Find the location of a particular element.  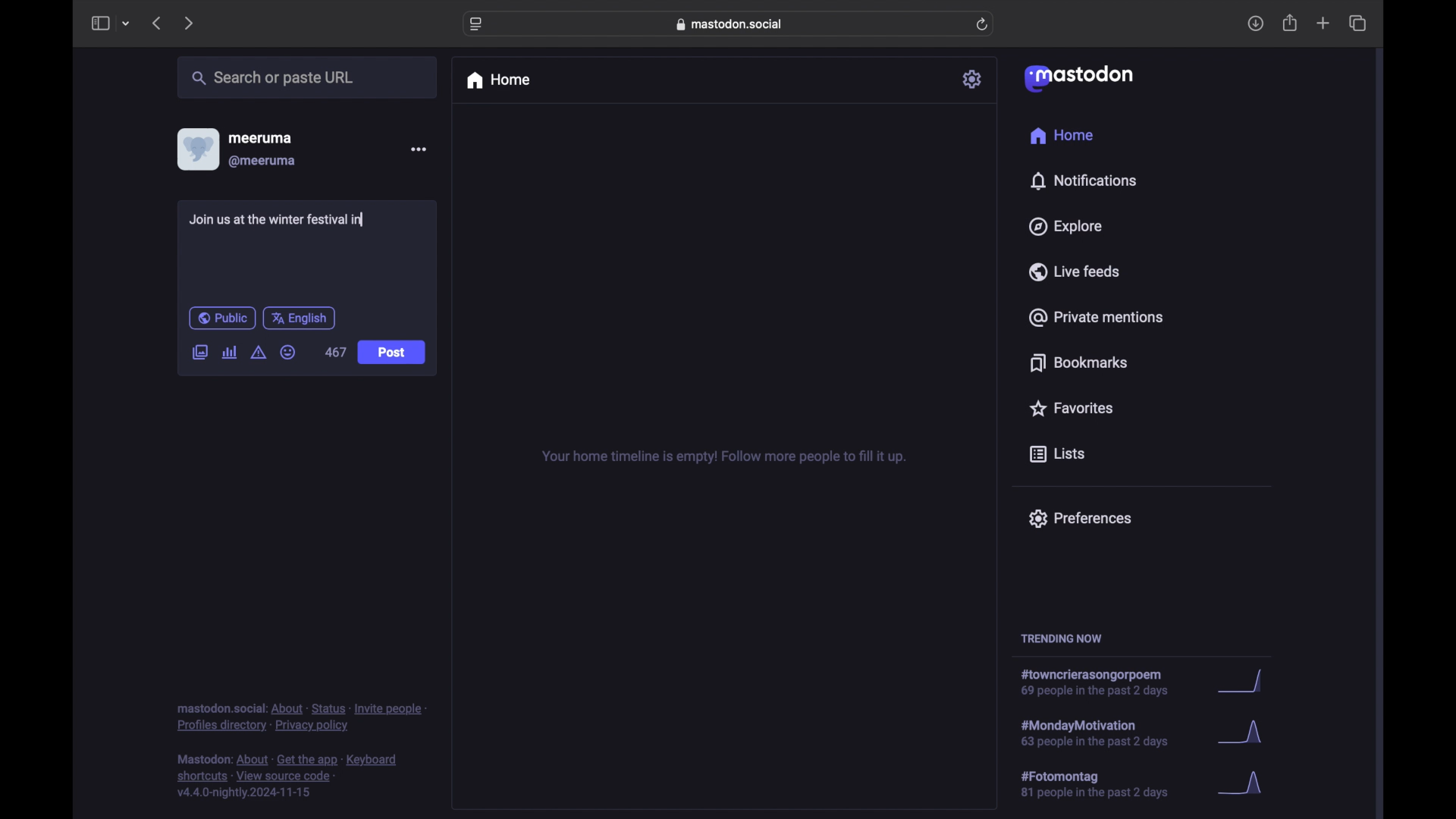

search or paste url is located at coordinates (272, 78).